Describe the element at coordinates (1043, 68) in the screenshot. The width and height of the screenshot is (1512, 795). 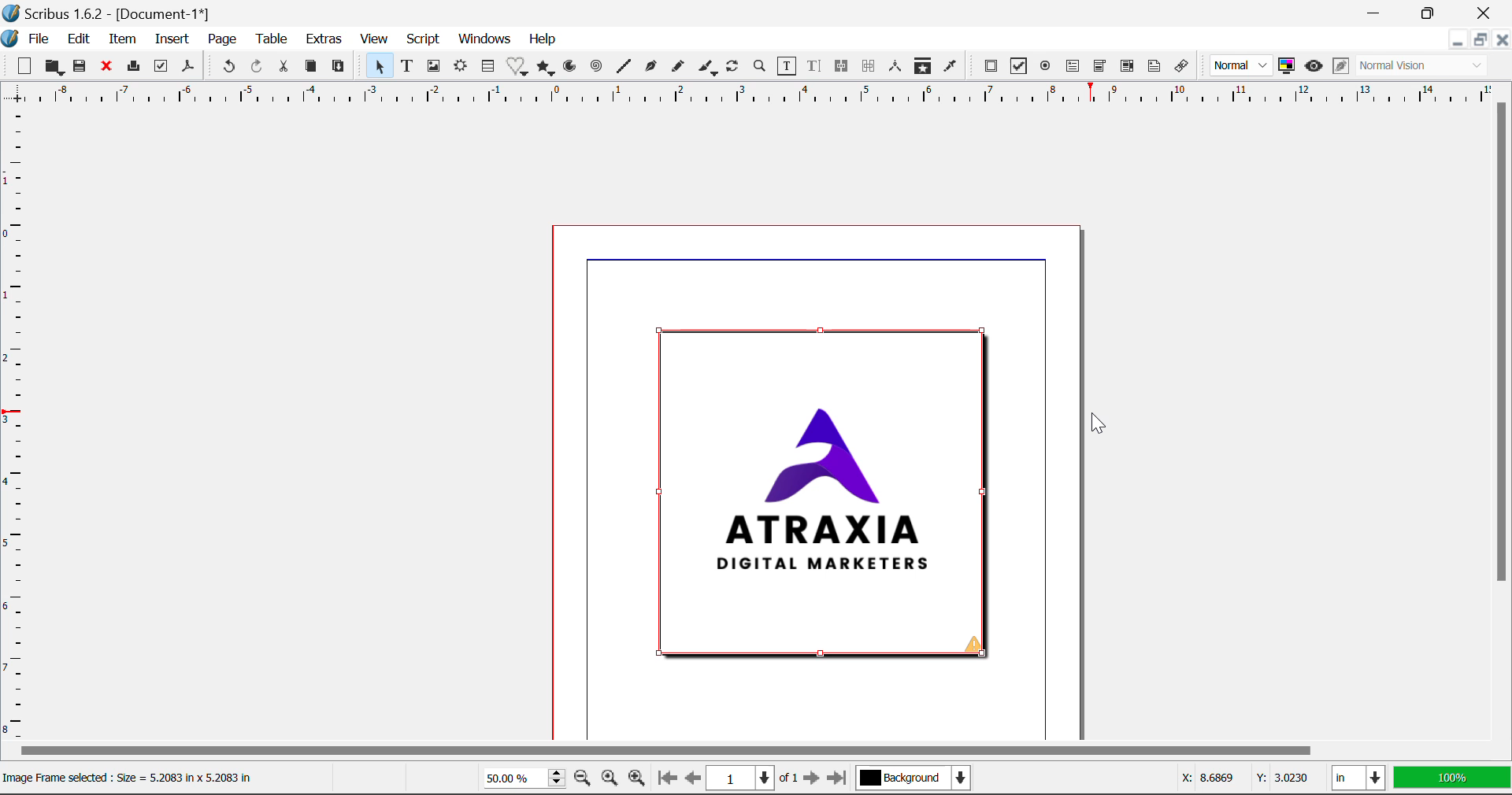
I see `Pdf Radio Button` at that location.